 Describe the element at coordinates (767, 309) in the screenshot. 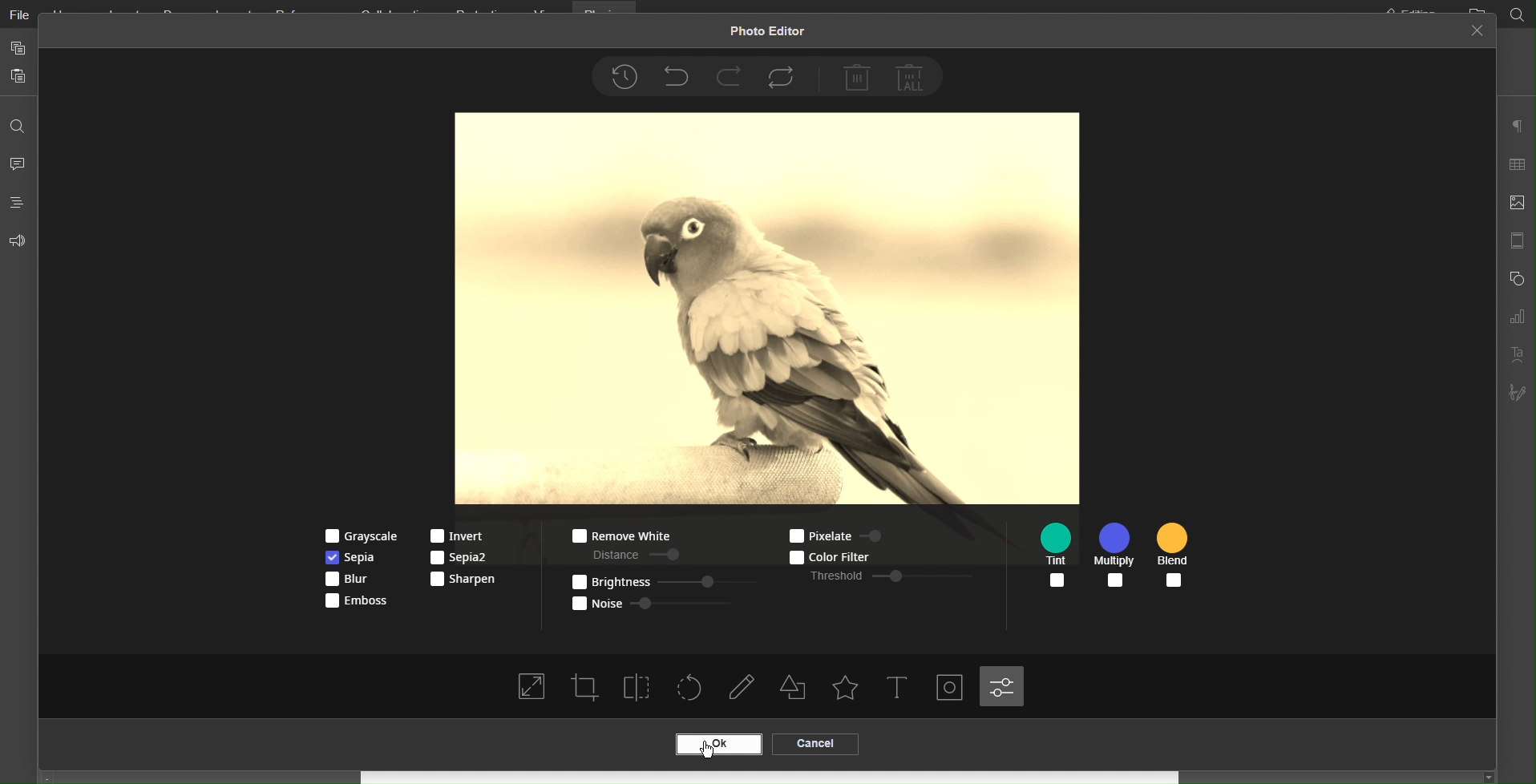

I see `Image` at that location.